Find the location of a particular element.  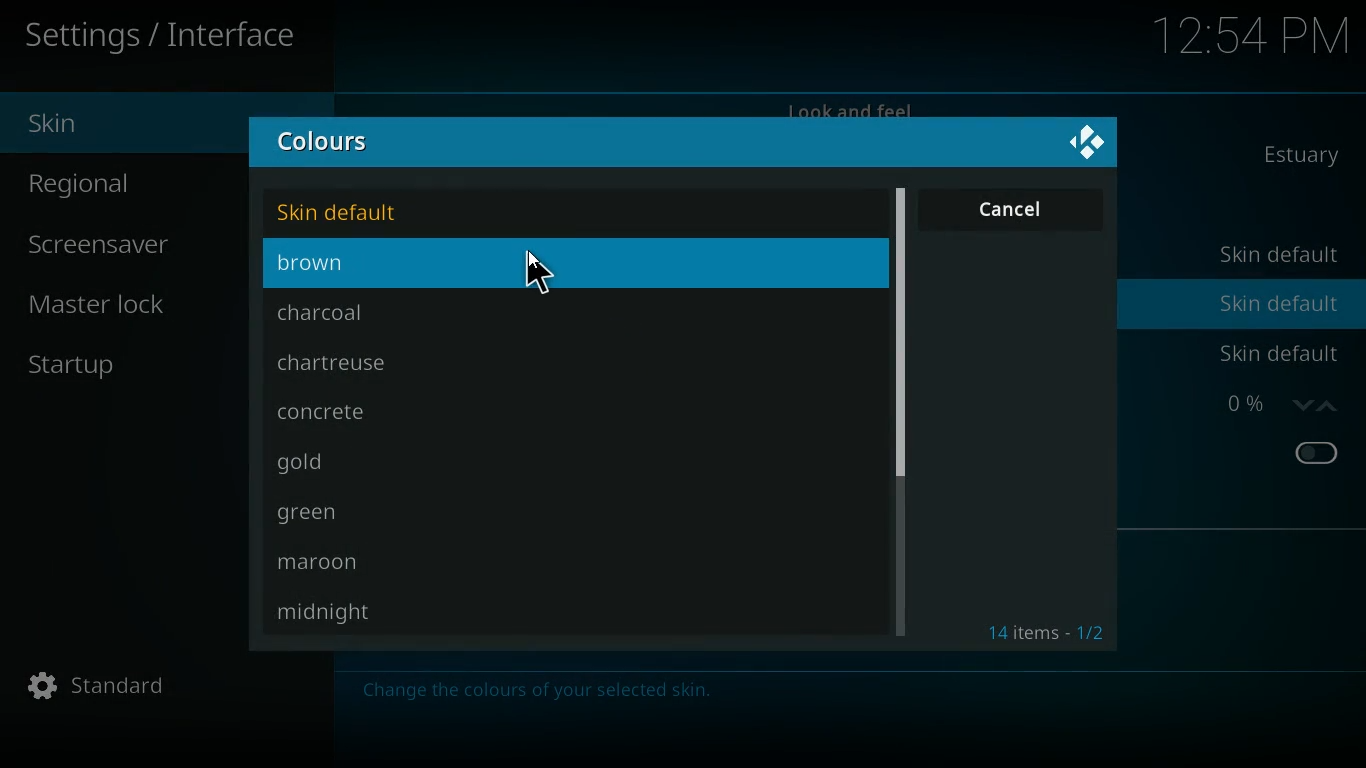

master lock  is located at coordinates (106, 307).